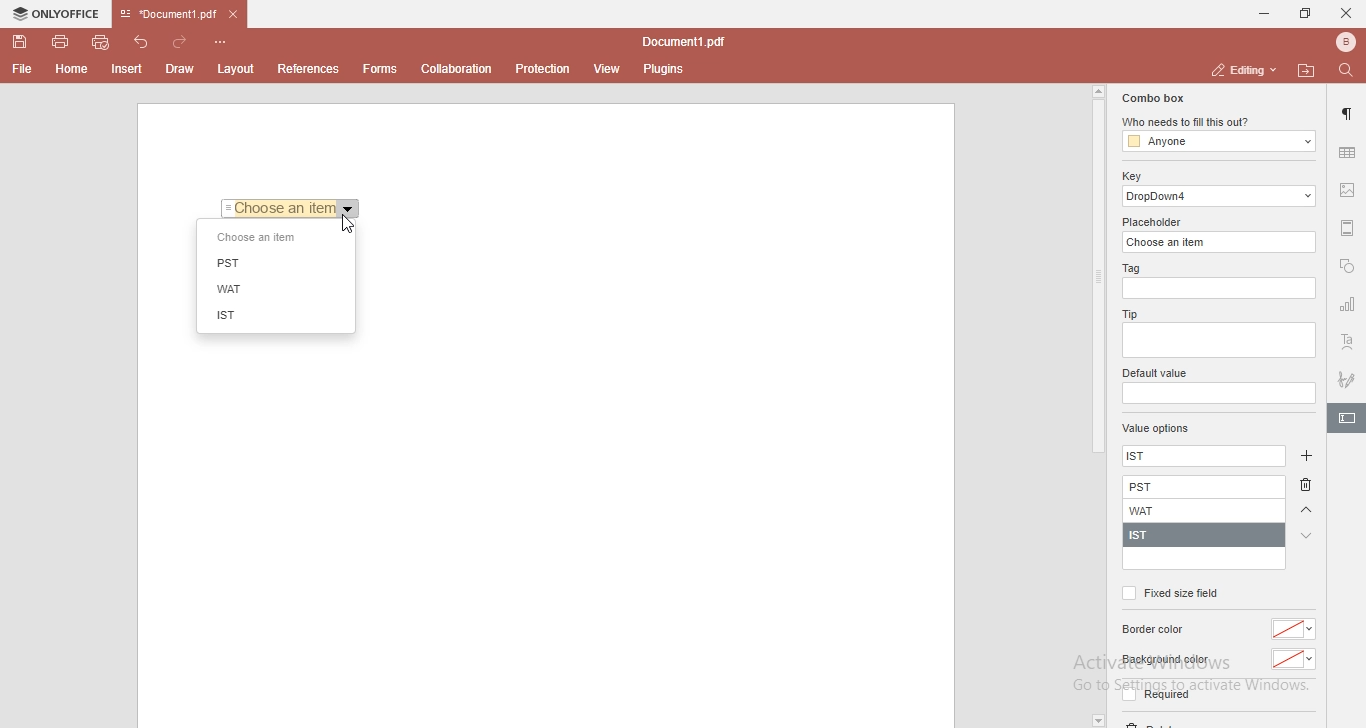 The image size is (1366, 728). What do you see at coordinates (1221, 289) in the screenshot?
I see `empty box` at bounding box center [1221, 289].